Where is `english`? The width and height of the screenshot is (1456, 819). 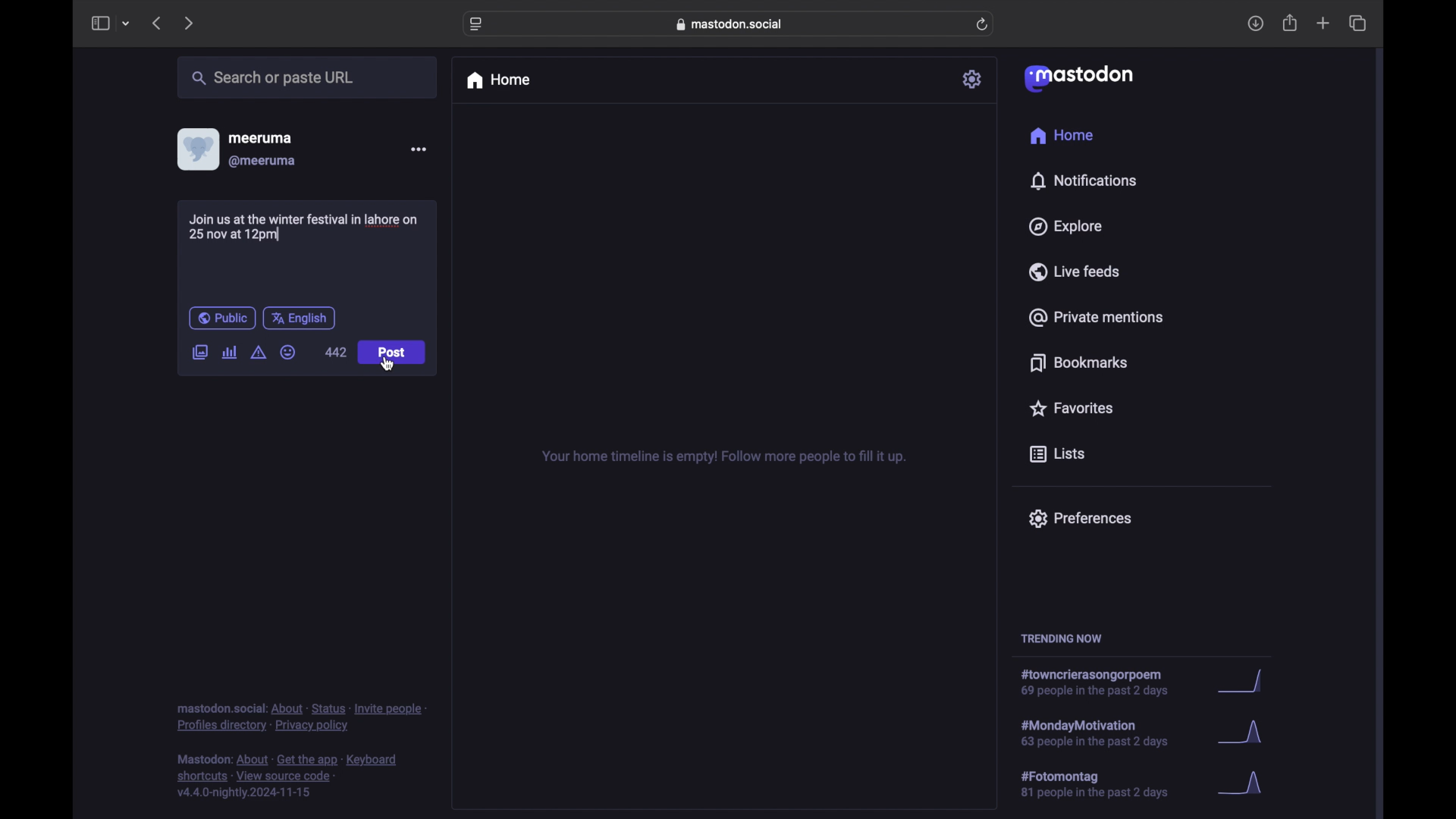 english is located at coordinates (300, 318).